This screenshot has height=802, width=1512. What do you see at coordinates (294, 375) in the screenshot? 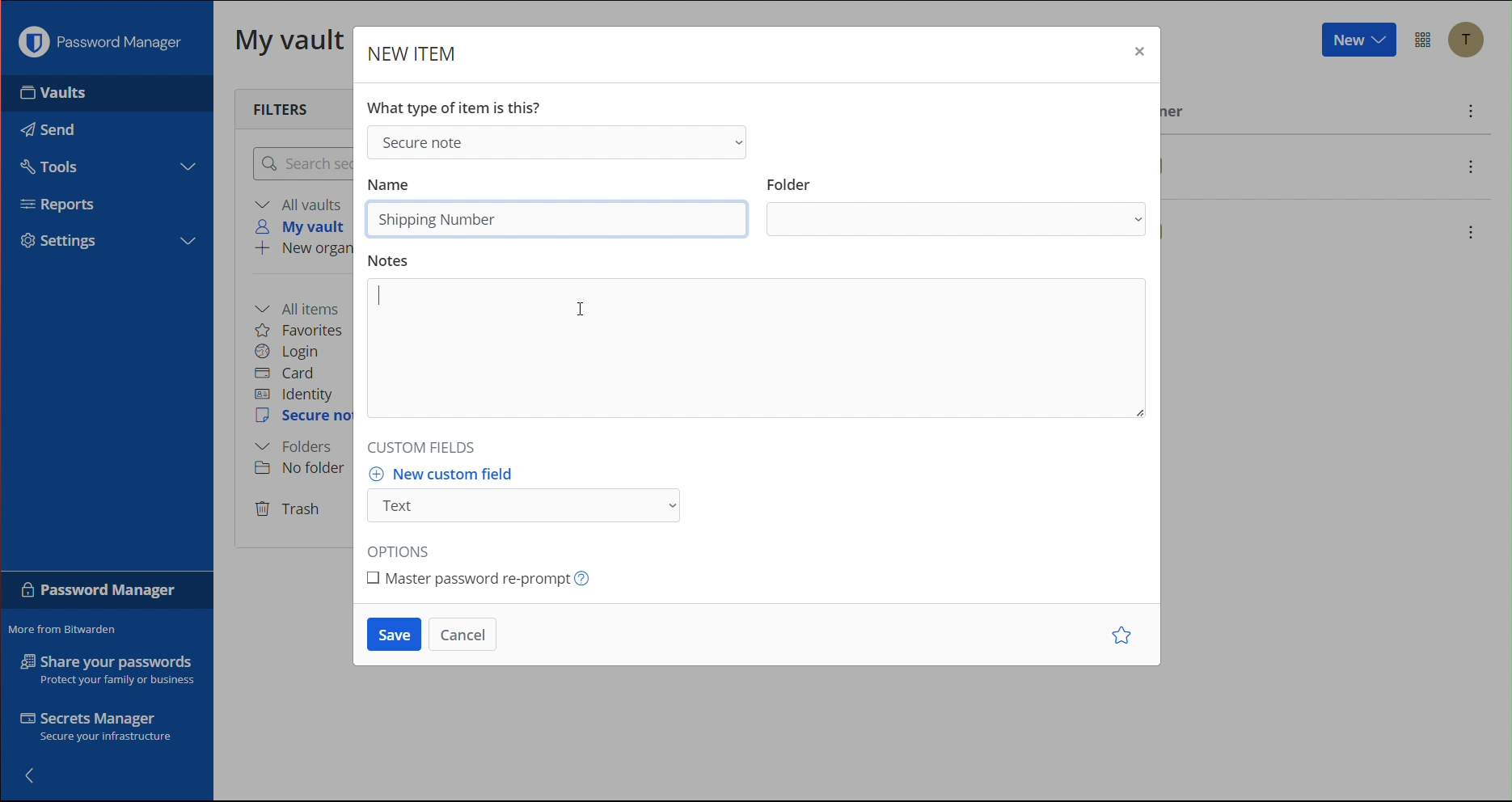
I see `Card` at bounding box center [294, 375].